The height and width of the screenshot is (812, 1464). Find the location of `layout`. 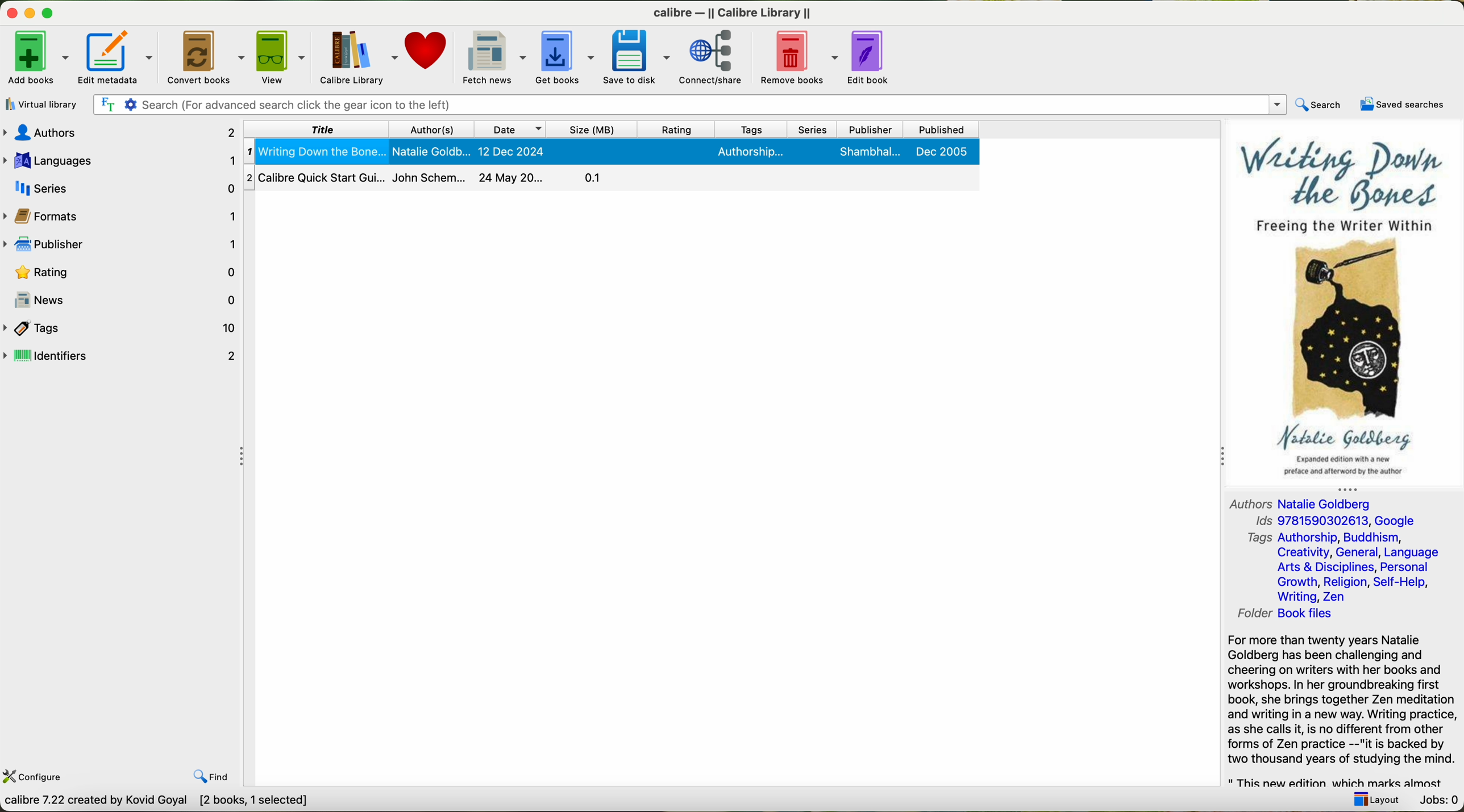

layout is located at coordinates (1377, 798).